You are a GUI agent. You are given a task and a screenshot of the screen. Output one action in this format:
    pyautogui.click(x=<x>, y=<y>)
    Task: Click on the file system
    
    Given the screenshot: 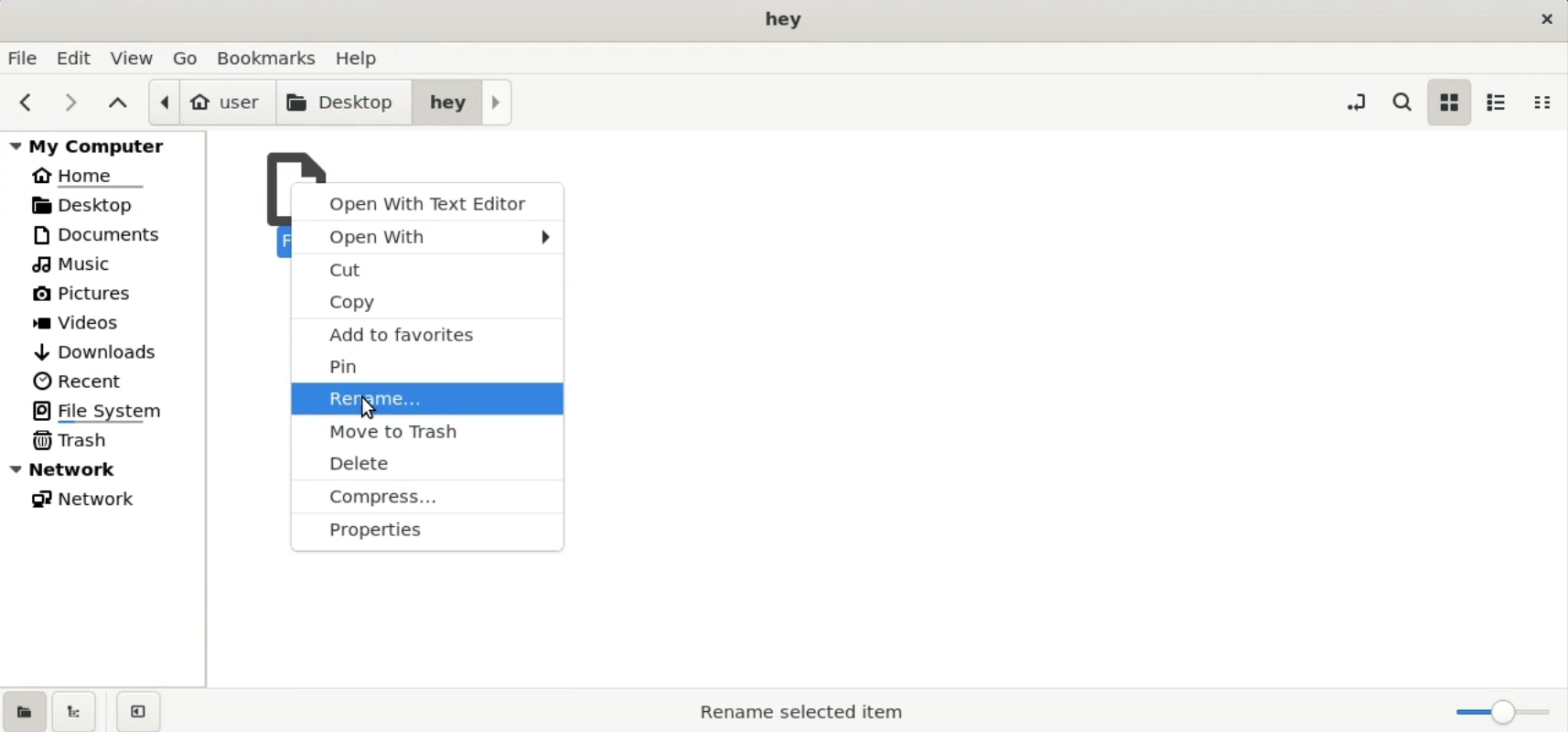 What is the action you would take?
    pyautogui.click(x=105, y=410)
    